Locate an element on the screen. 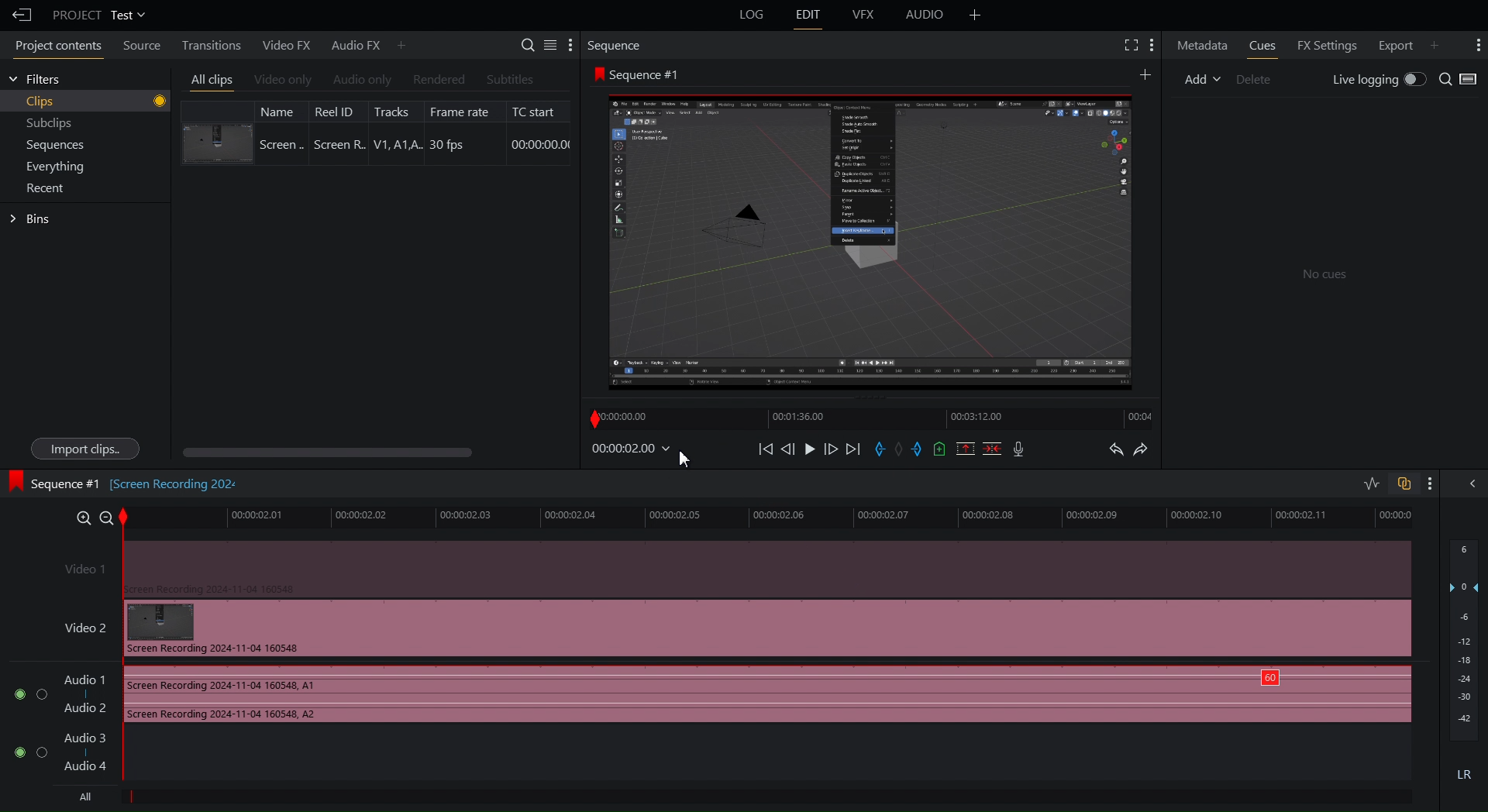  Timestamp is located at coordinates (608, 449).